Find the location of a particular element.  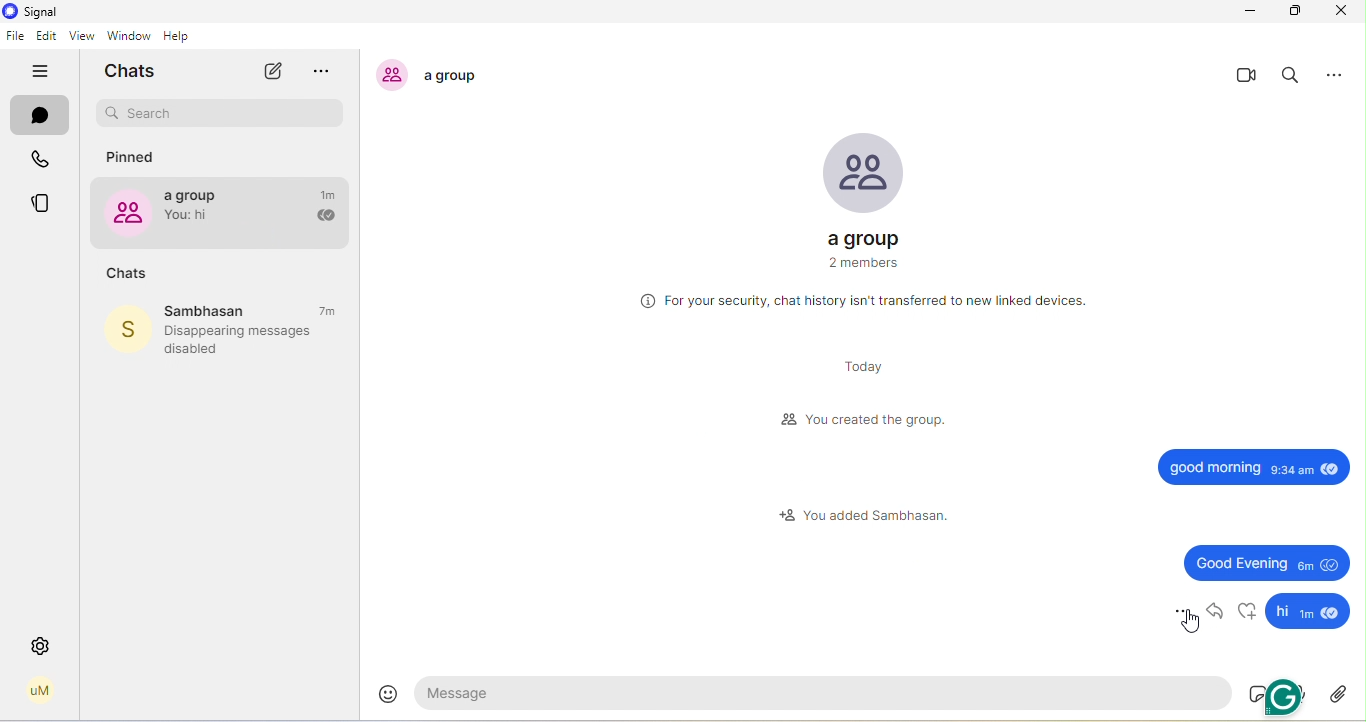

chats is located at coordinates (136, 71).